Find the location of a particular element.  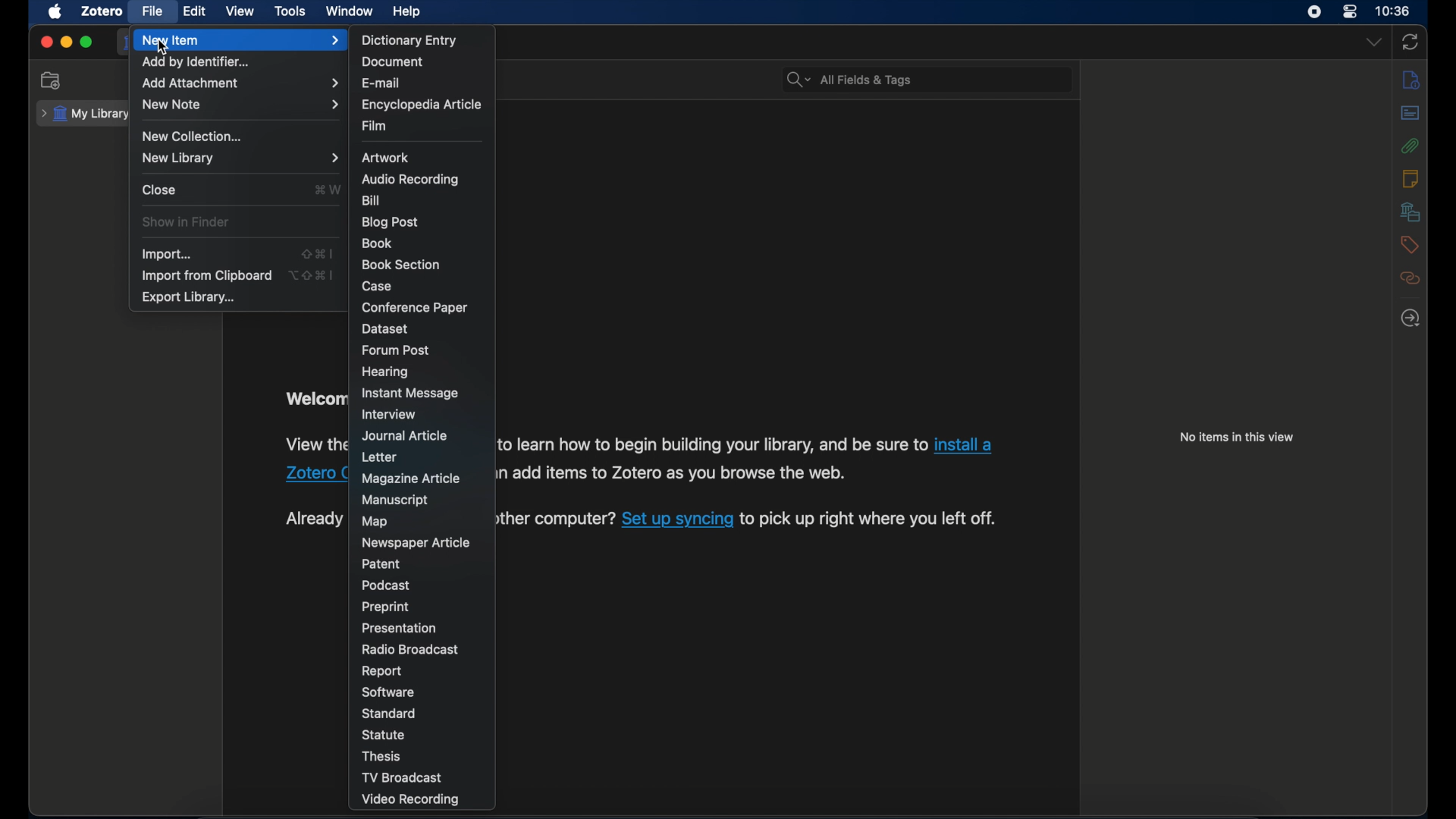

shortcut is located at coordinates (328, 189).